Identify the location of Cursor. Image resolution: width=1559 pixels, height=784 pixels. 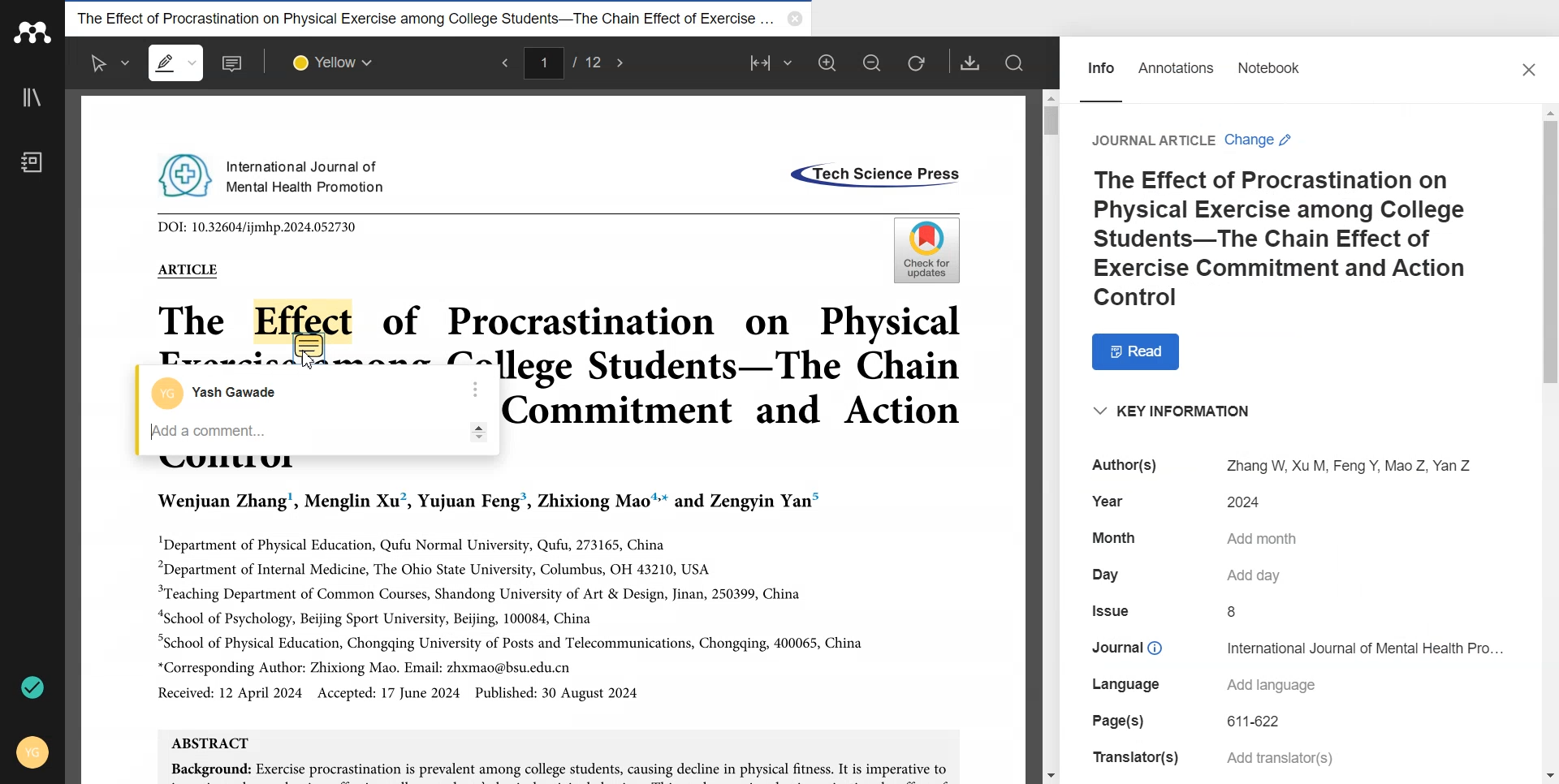
(305, 364).